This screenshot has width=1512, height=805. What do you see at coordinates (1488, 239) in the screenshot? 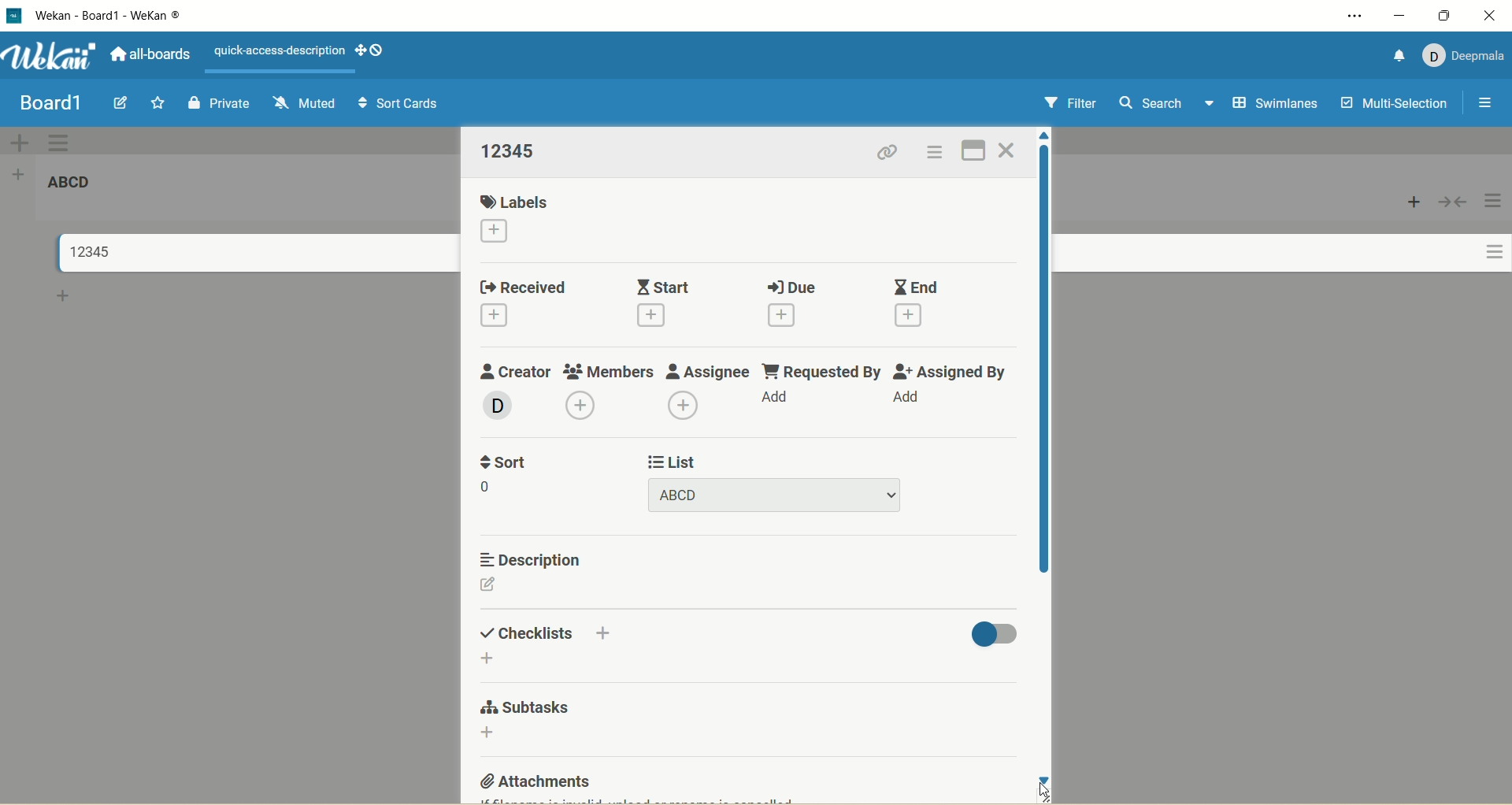
I see `actions` at bounding box center [1488, 239].